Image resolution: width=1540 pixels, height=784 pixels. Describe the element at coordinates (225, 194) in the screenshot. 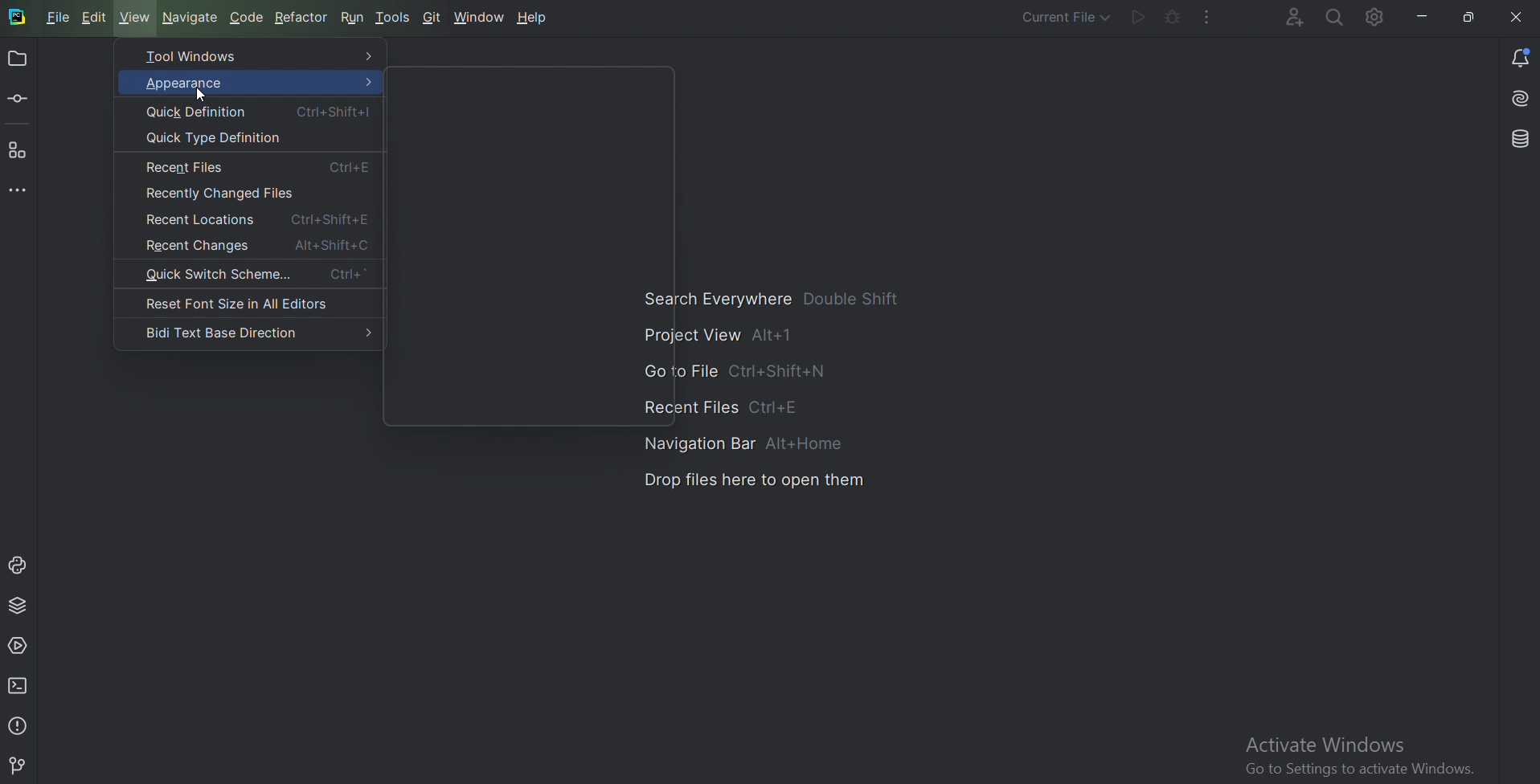

I see `Recently changed files` at that location.